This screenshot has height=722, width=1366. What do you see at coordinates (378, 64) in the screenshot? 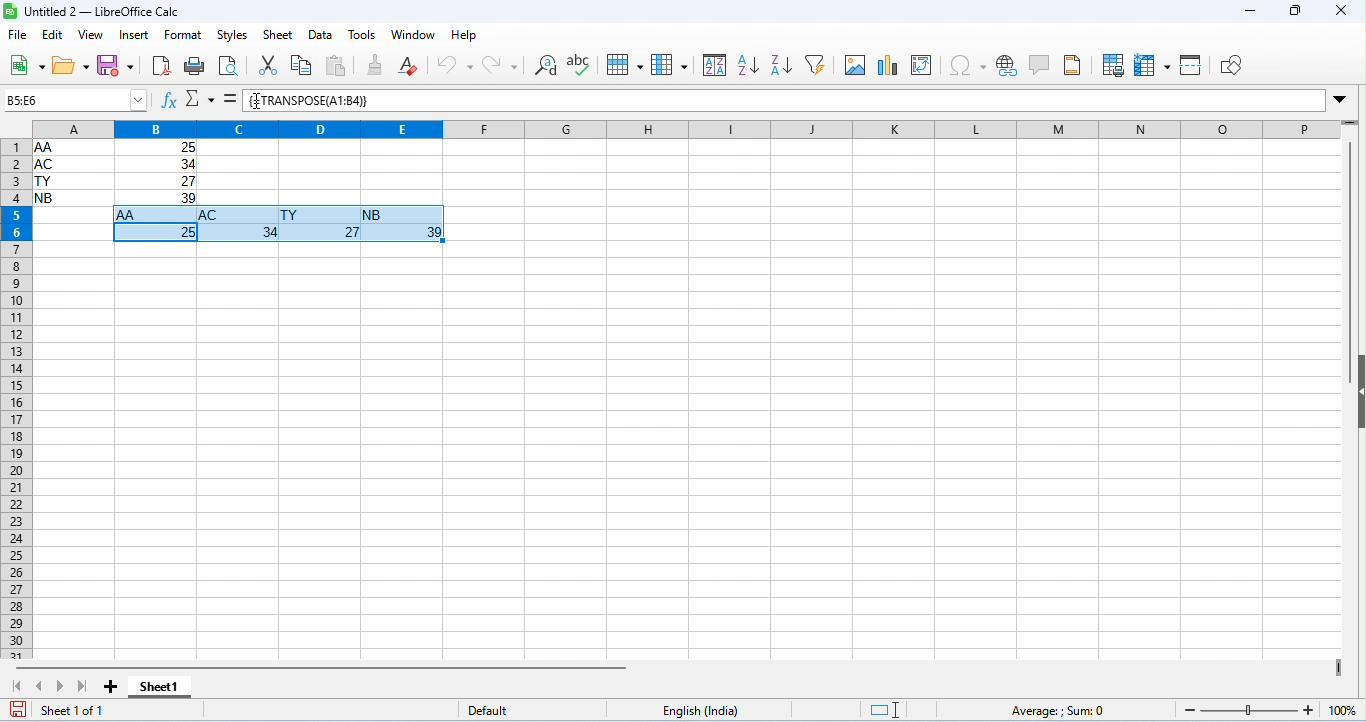
I see `clone` at bounding box center [378, 64].